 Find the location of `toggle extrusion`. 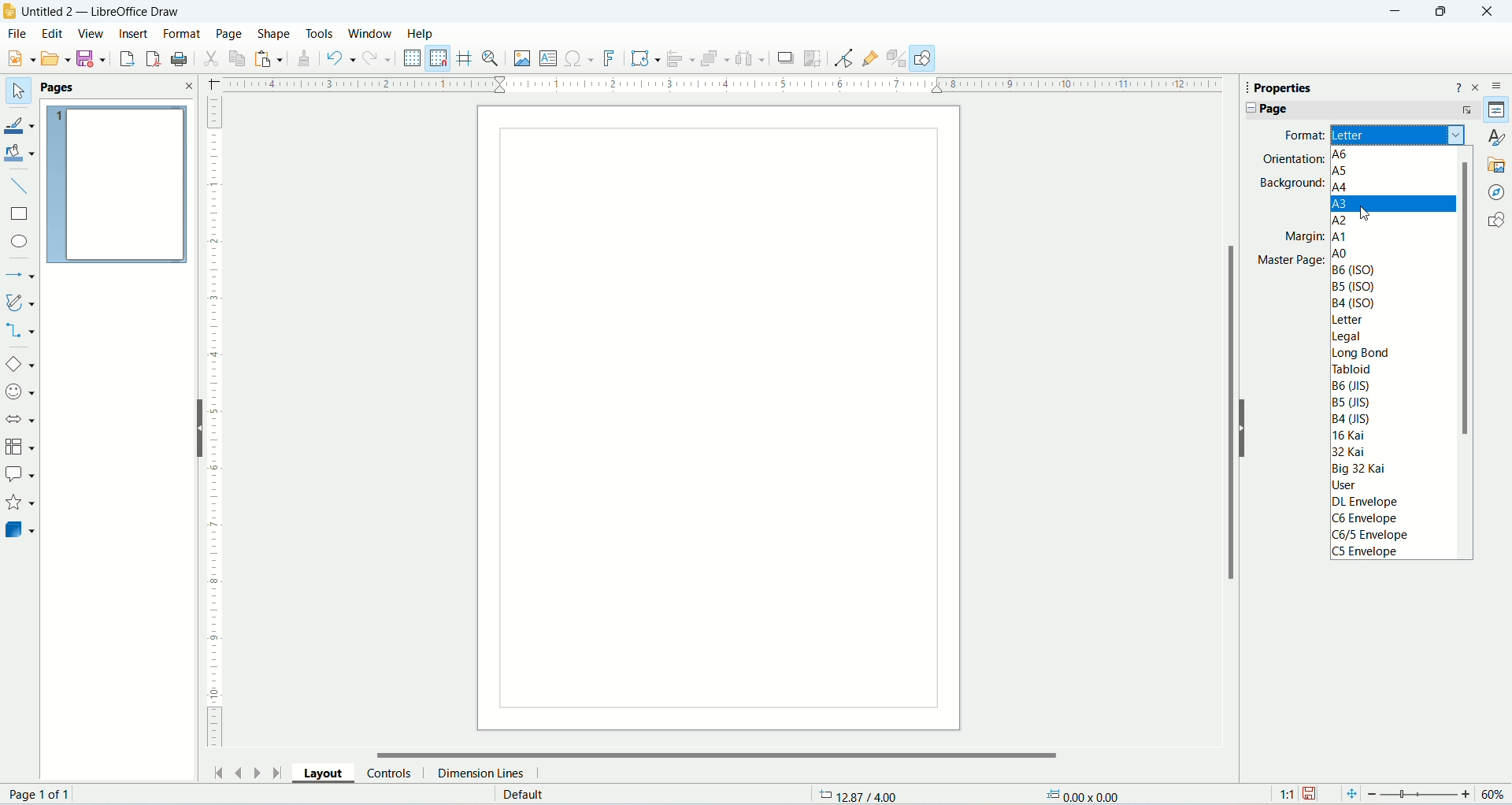

toggle extrusion is located at coordinates (897, 60).